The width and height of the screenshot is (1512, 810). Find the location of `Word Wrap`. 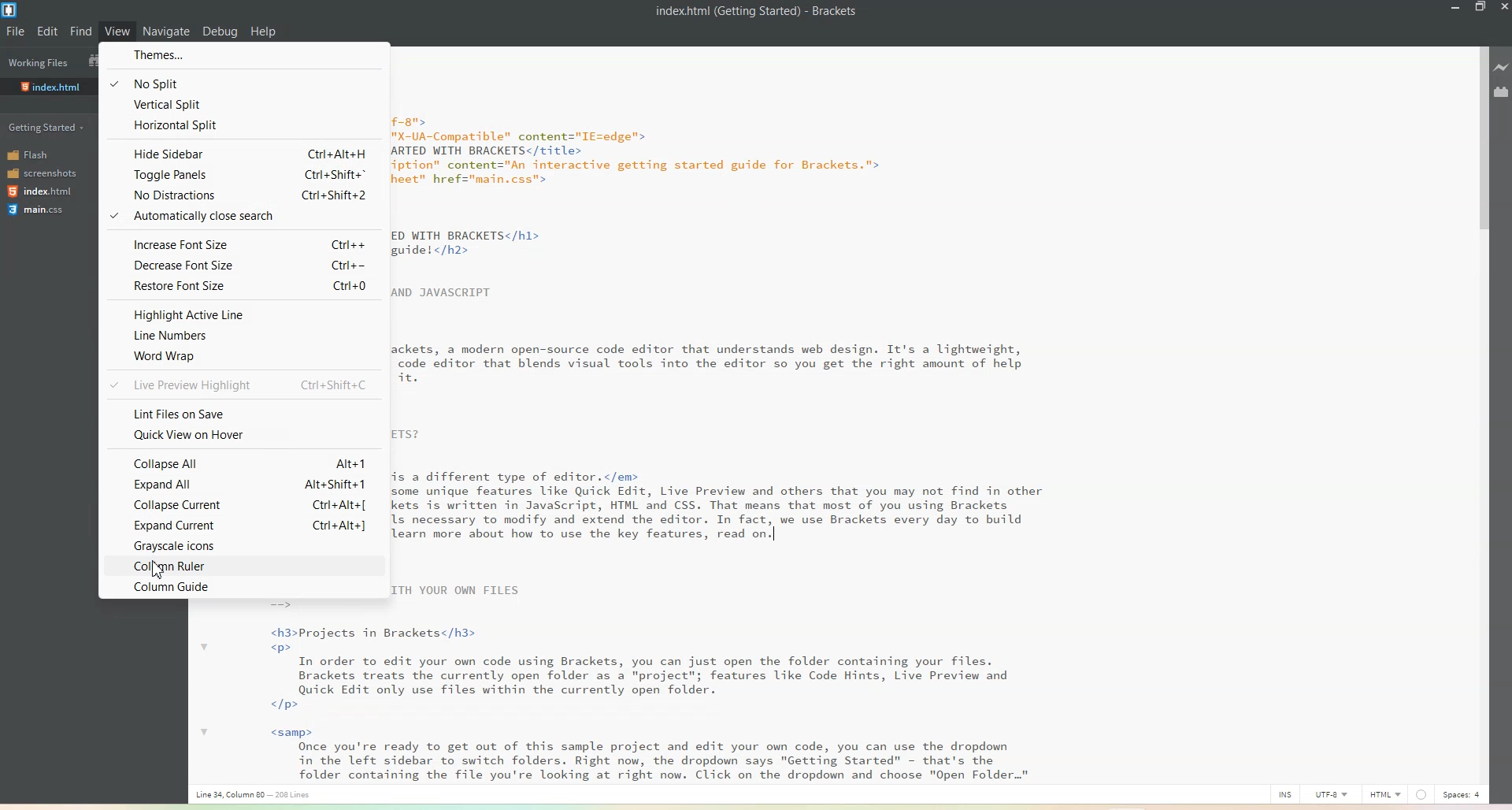

Word Wrap is located at coordinates (242, 356).